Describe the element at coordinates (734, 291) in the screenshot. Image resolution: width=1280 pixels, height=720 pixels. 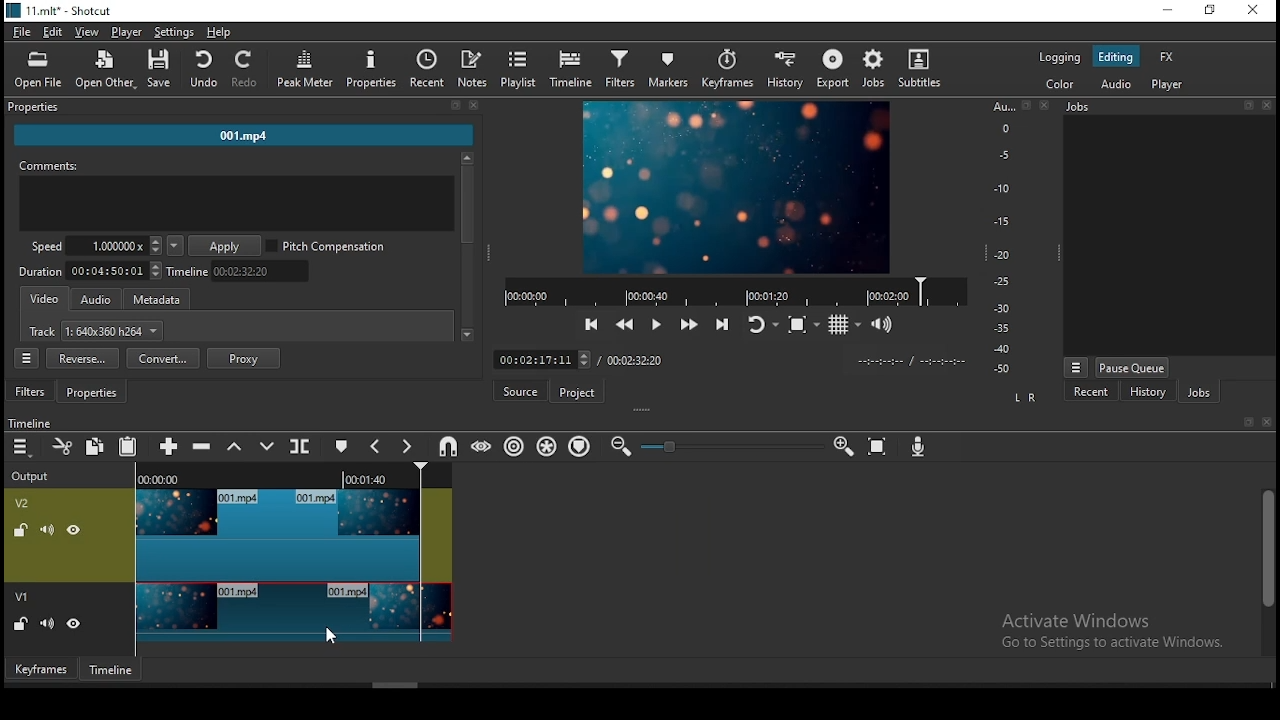
I see `TIMELINE` at that location.